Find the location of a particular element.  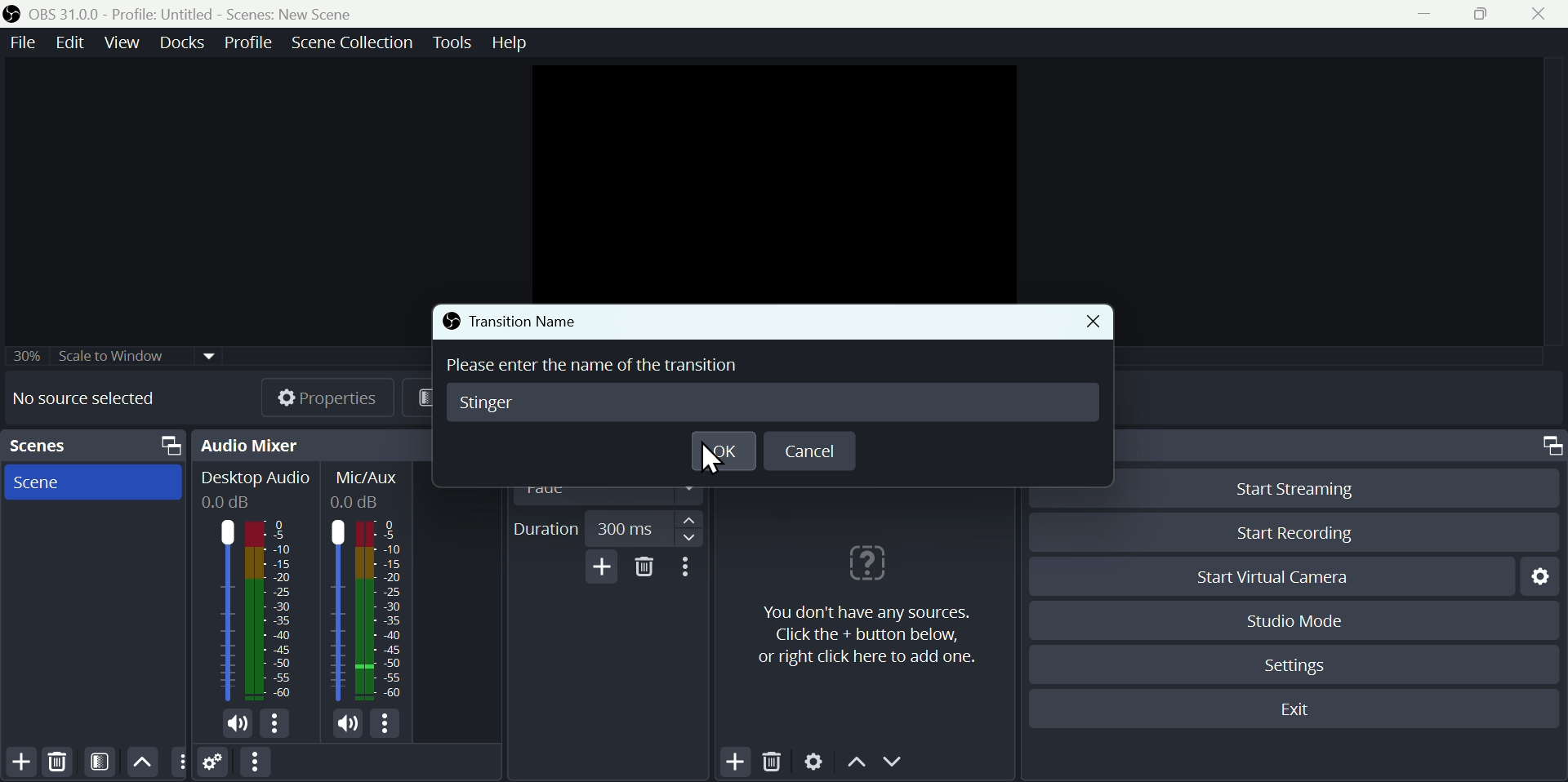

More options is located at coordinates (254, 763).